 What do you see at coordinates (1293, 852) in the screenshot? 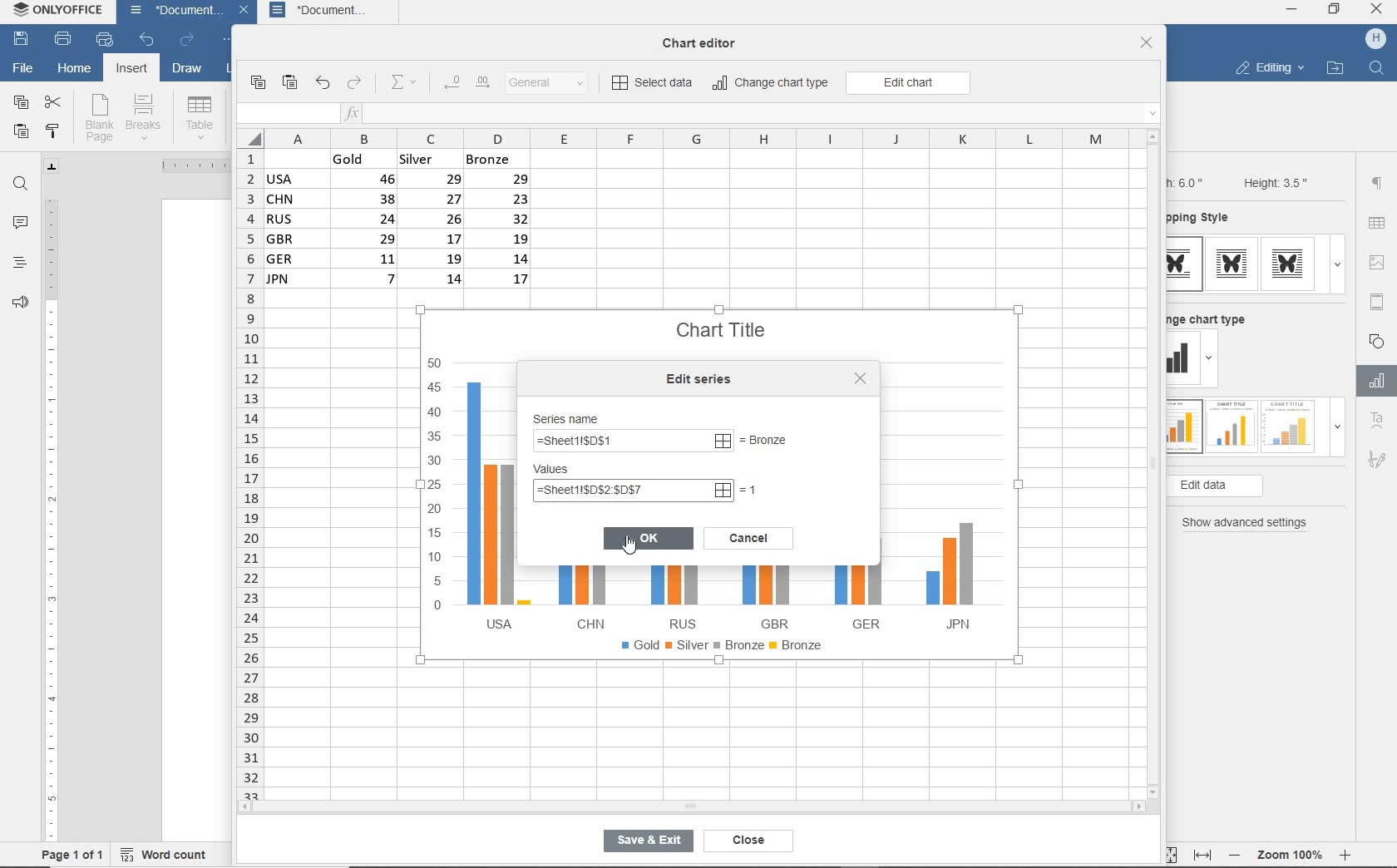
I see `zoom 100%` at bounding box center [1293, 852].